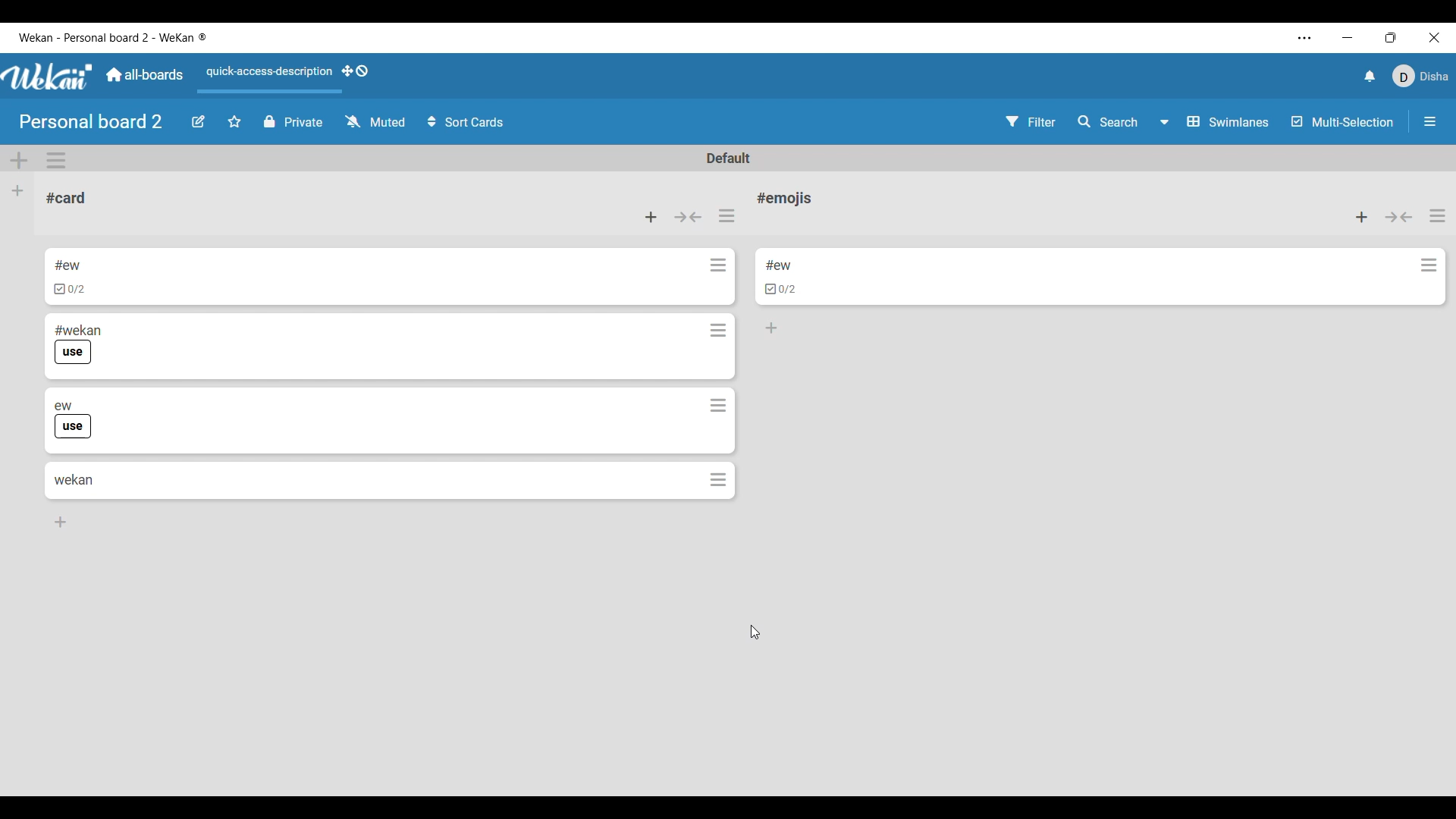 The width and height of the screenshot is (1456, 819). Describe the element at coordinates (1216, 122) in the screenshot. I see `Swimlane and other board view options` at that location.